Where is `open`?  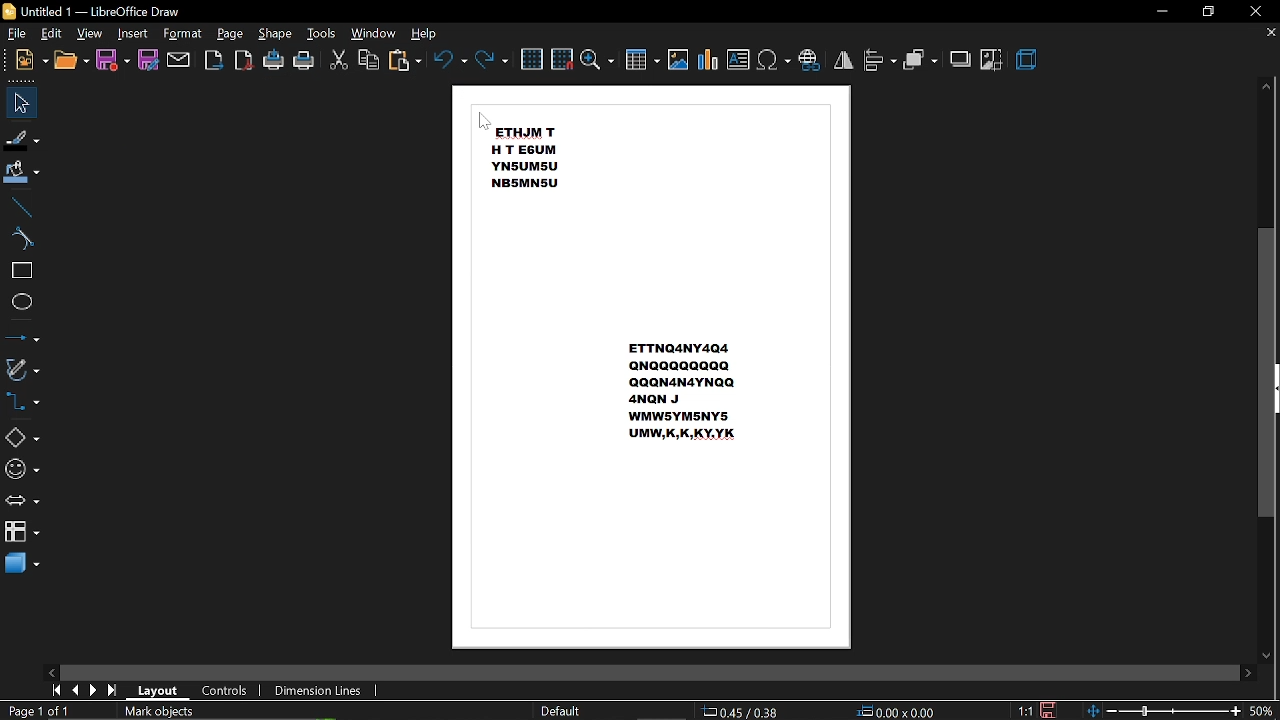 open is located at coordinates (71, 62).